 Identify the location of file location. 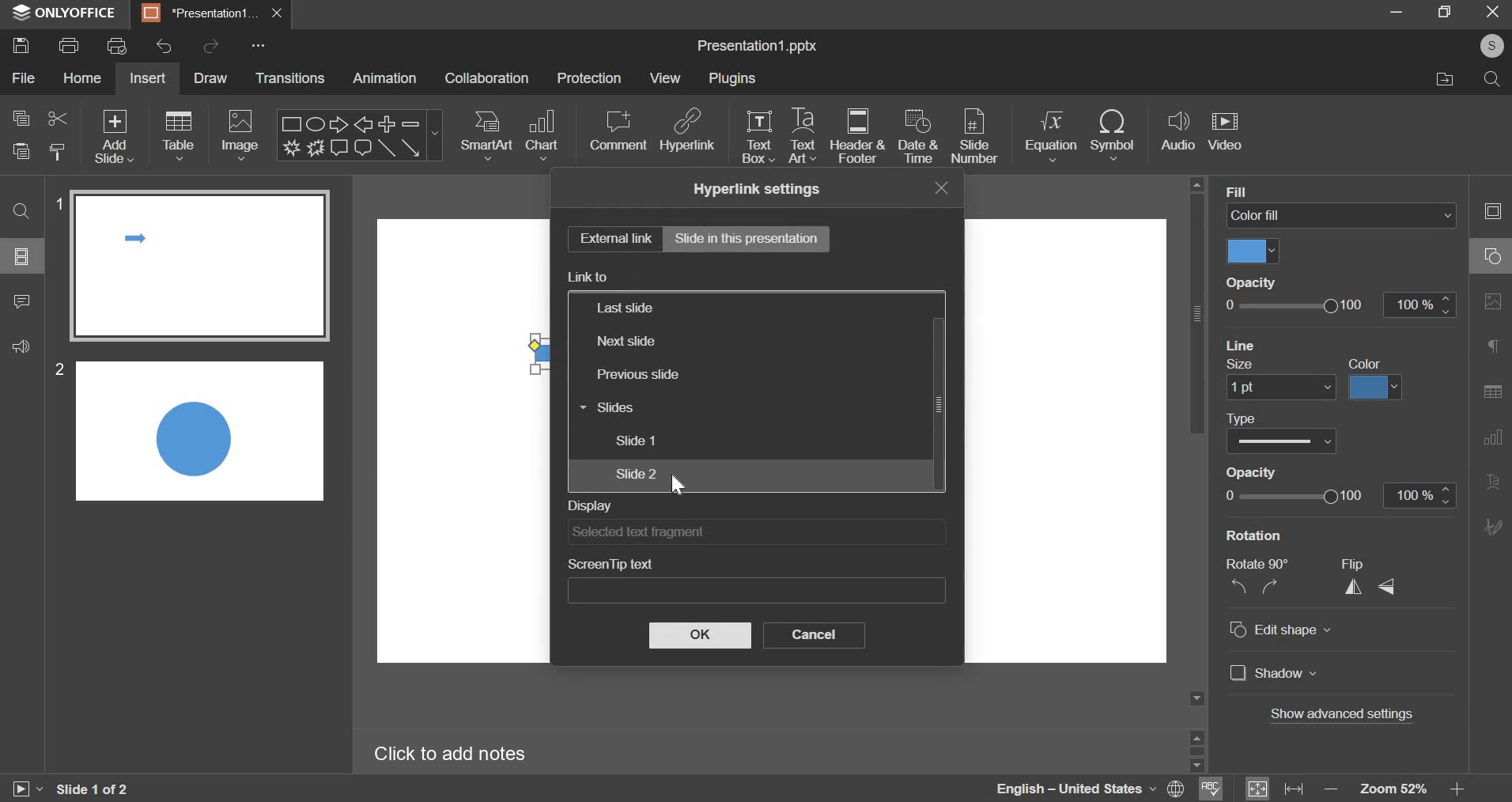
(1446, 81).